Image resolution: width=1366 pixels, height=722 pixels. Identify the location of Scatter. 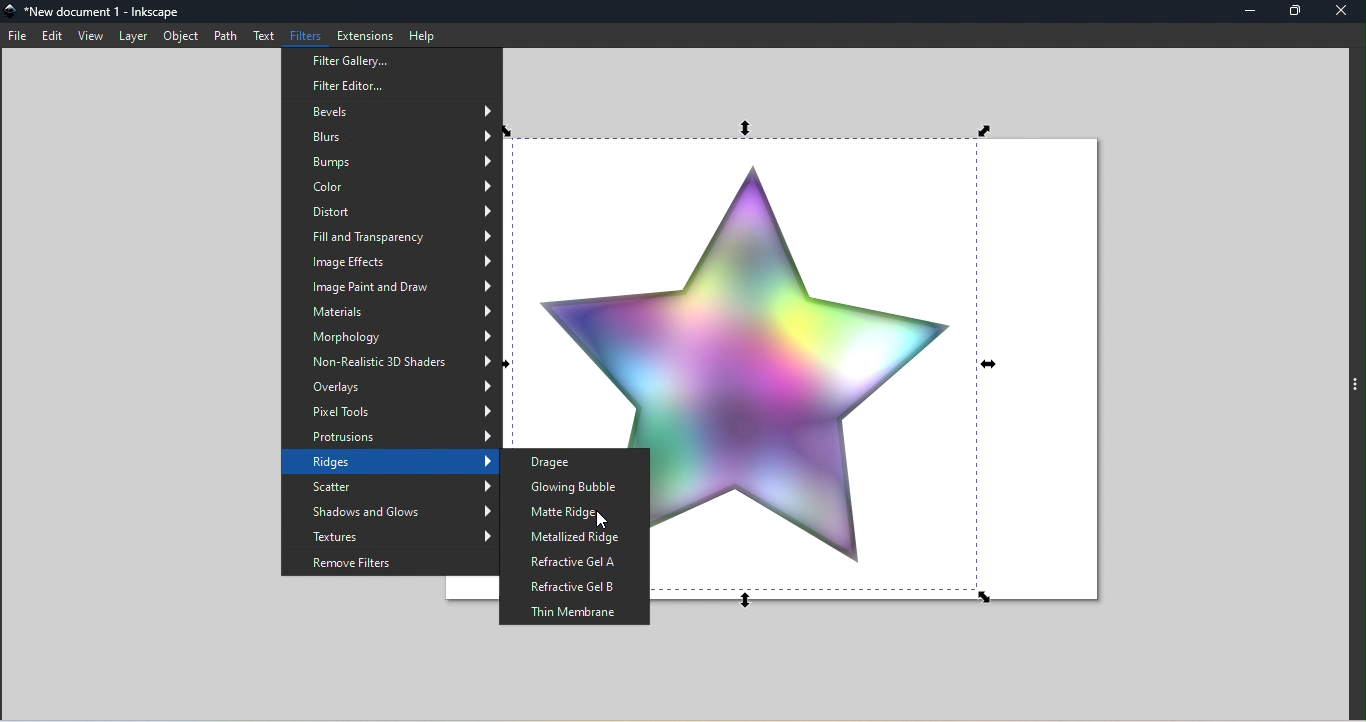
(391, 488).